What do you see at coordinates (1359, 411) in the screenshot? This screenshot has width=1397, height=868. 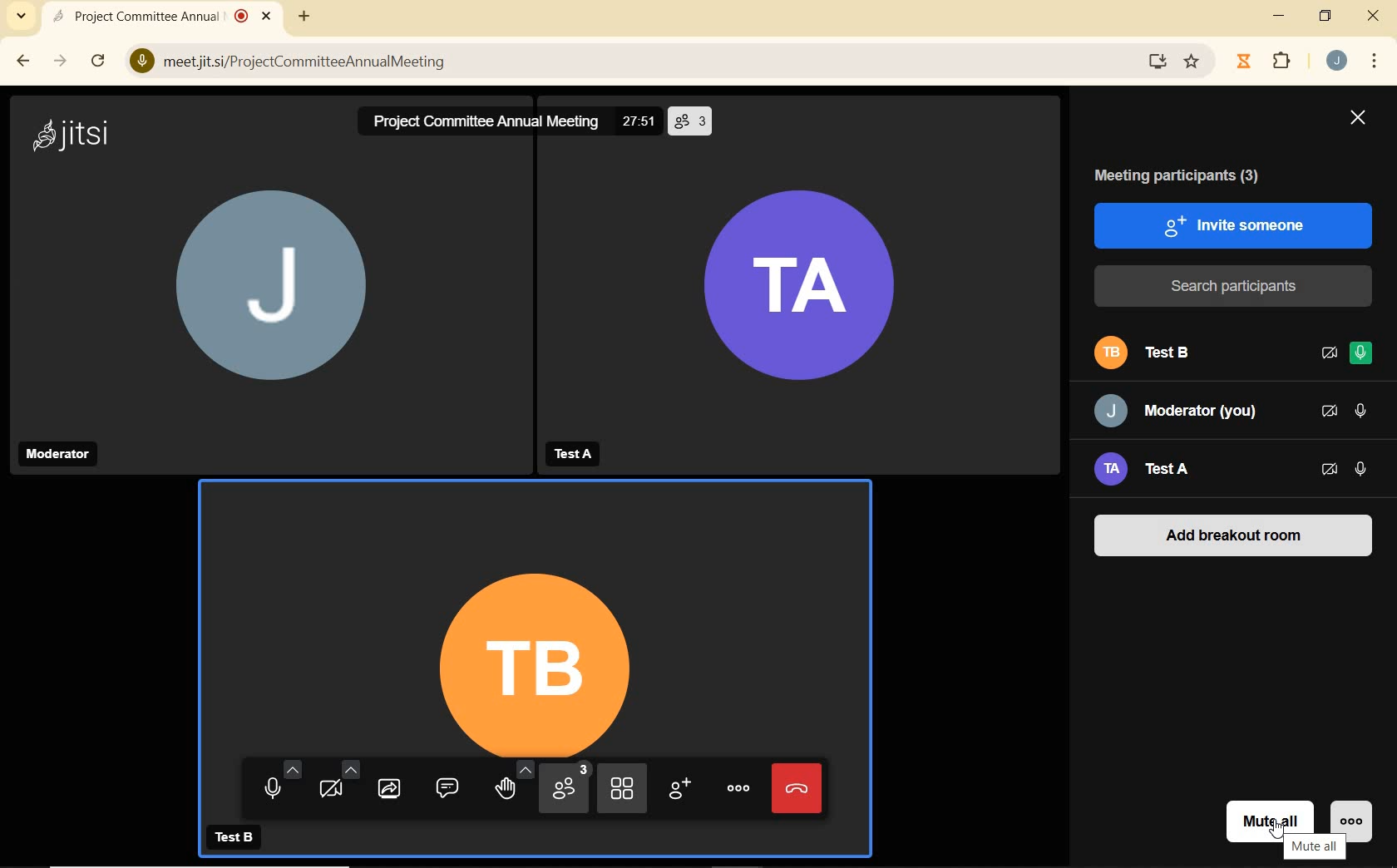 I see `MICROPHONE` at bounding box center [1359, 411].